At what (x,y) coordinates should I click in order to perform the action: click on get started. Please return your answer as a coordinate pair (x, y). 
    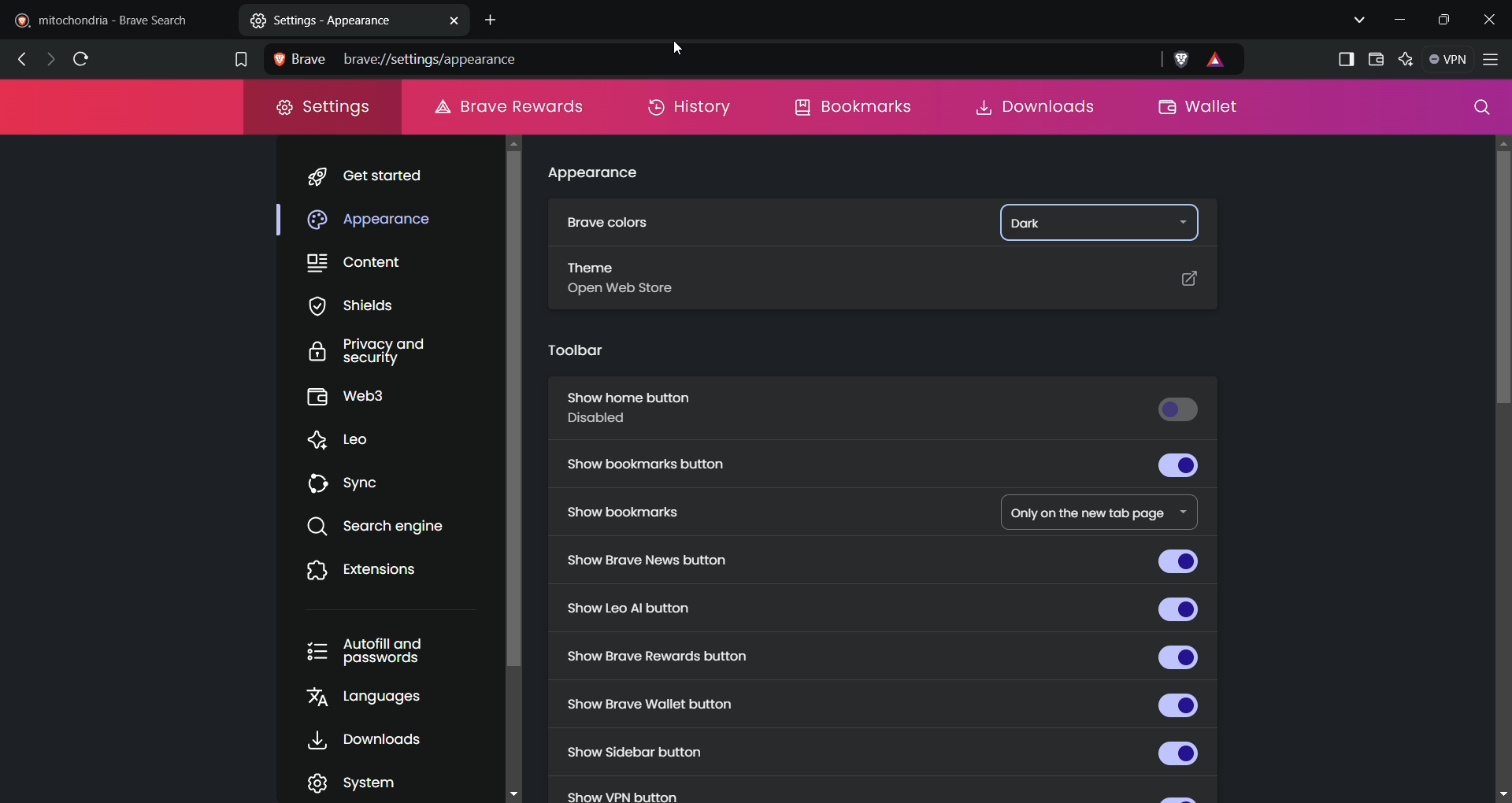
    Looking at the image, I should click on (386, 174).